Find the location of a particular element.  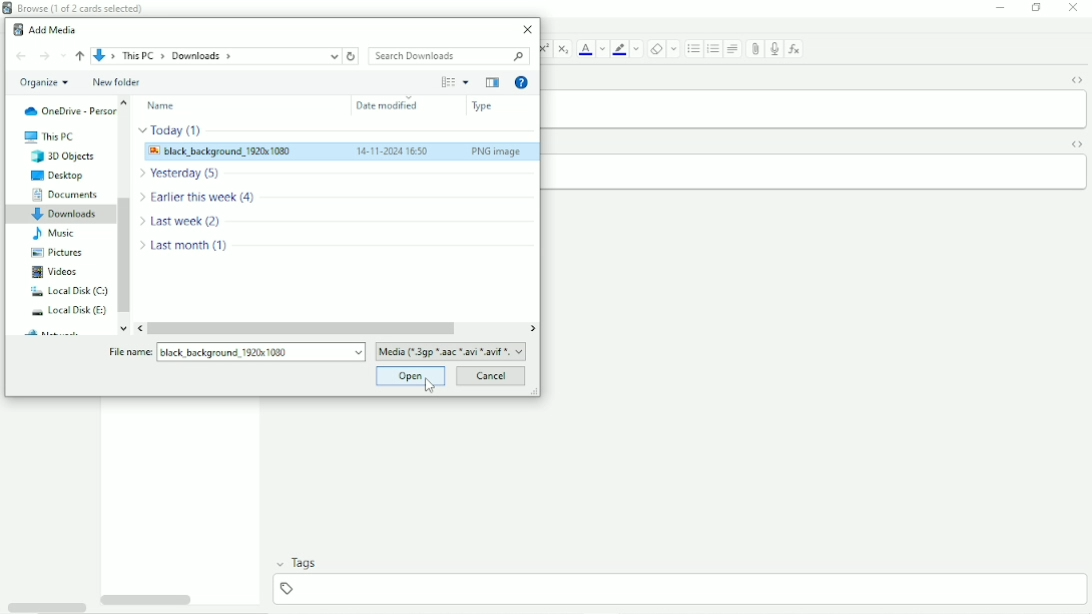

Browse  is located at coordinates (76, 8).